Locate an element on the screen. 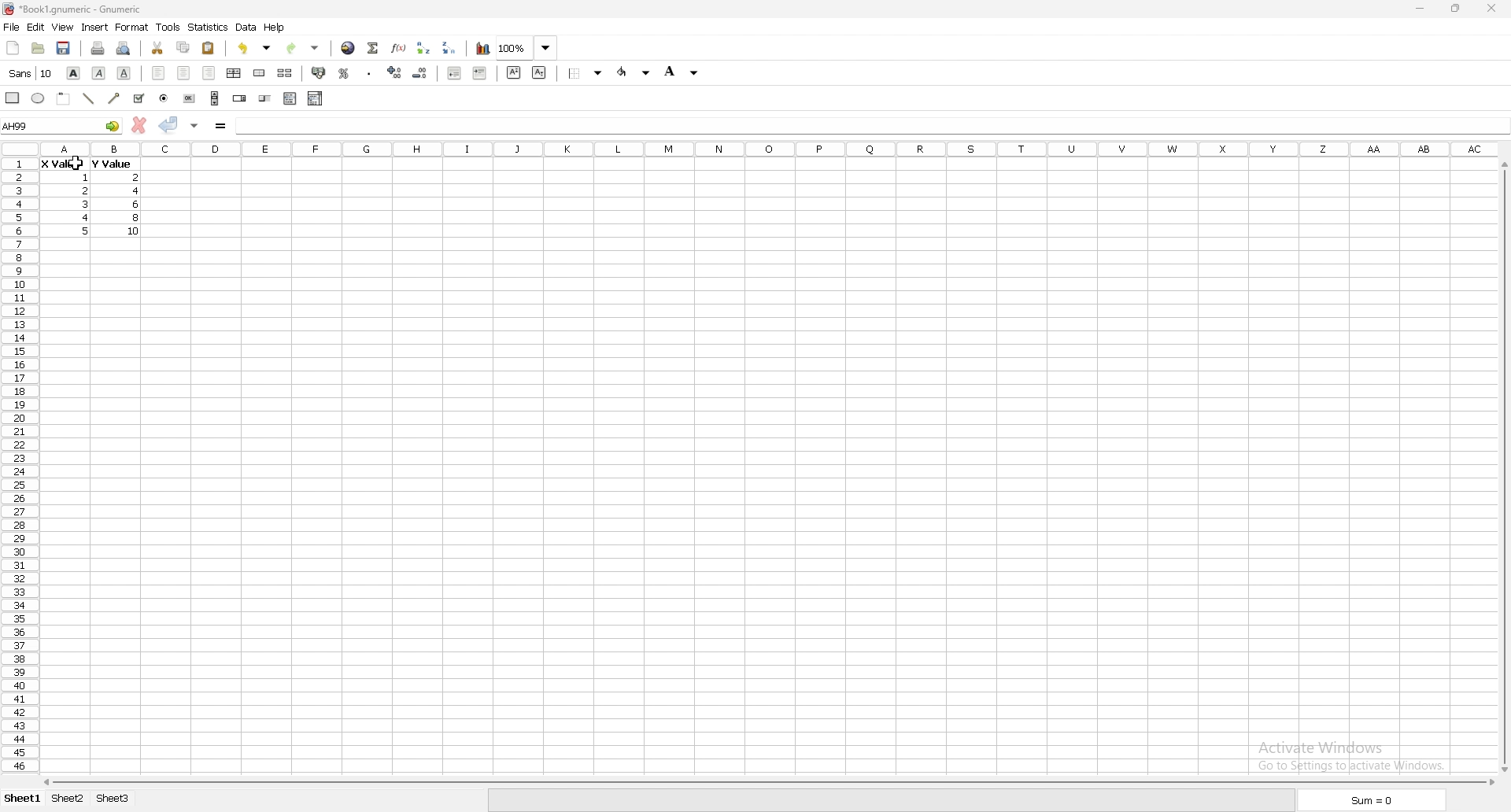  resize is located at coordinates (1457, 9).